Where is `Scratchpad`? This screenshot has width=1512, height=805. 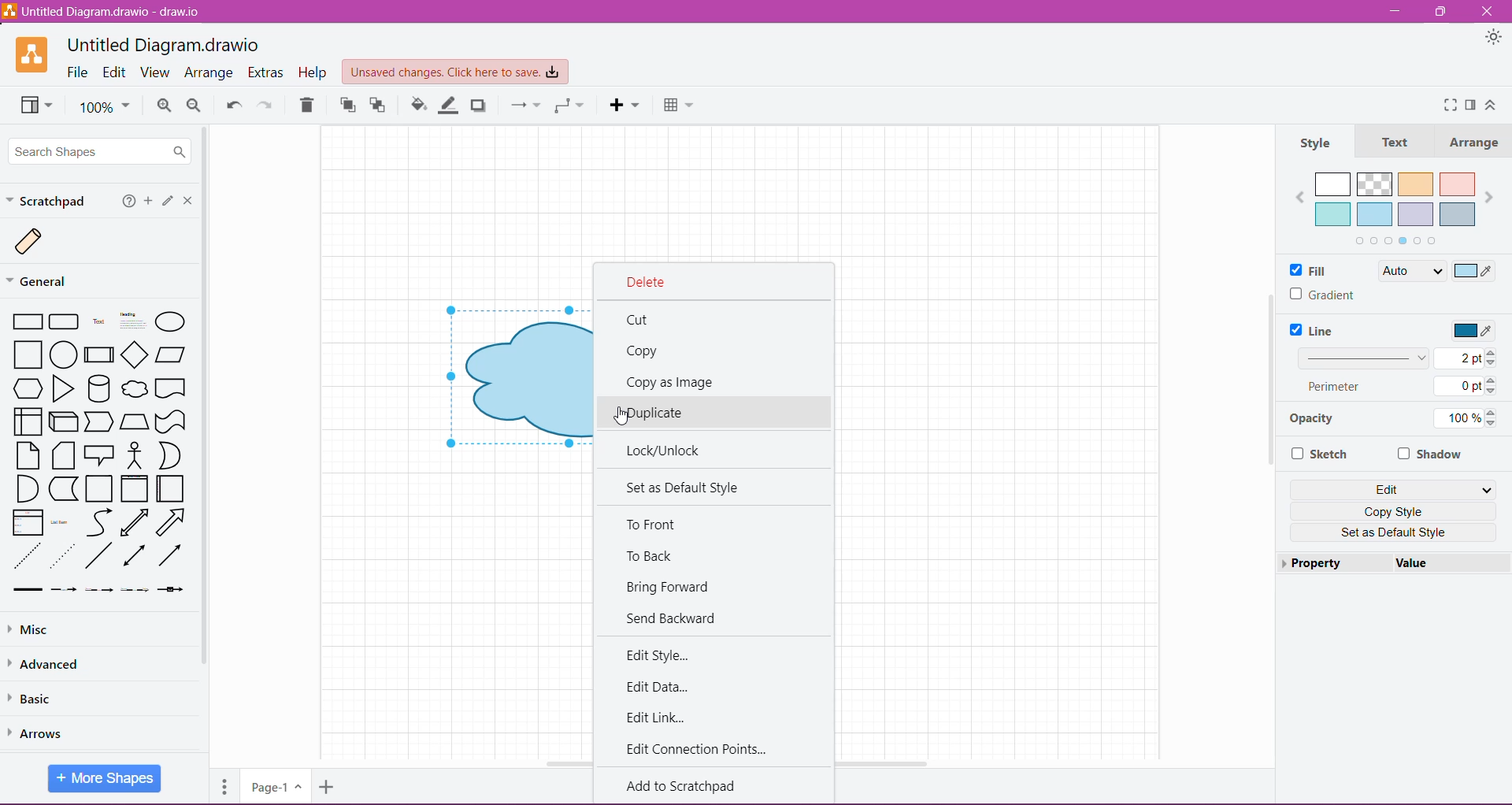 Scratchpad is located at coordinates (49, 201).